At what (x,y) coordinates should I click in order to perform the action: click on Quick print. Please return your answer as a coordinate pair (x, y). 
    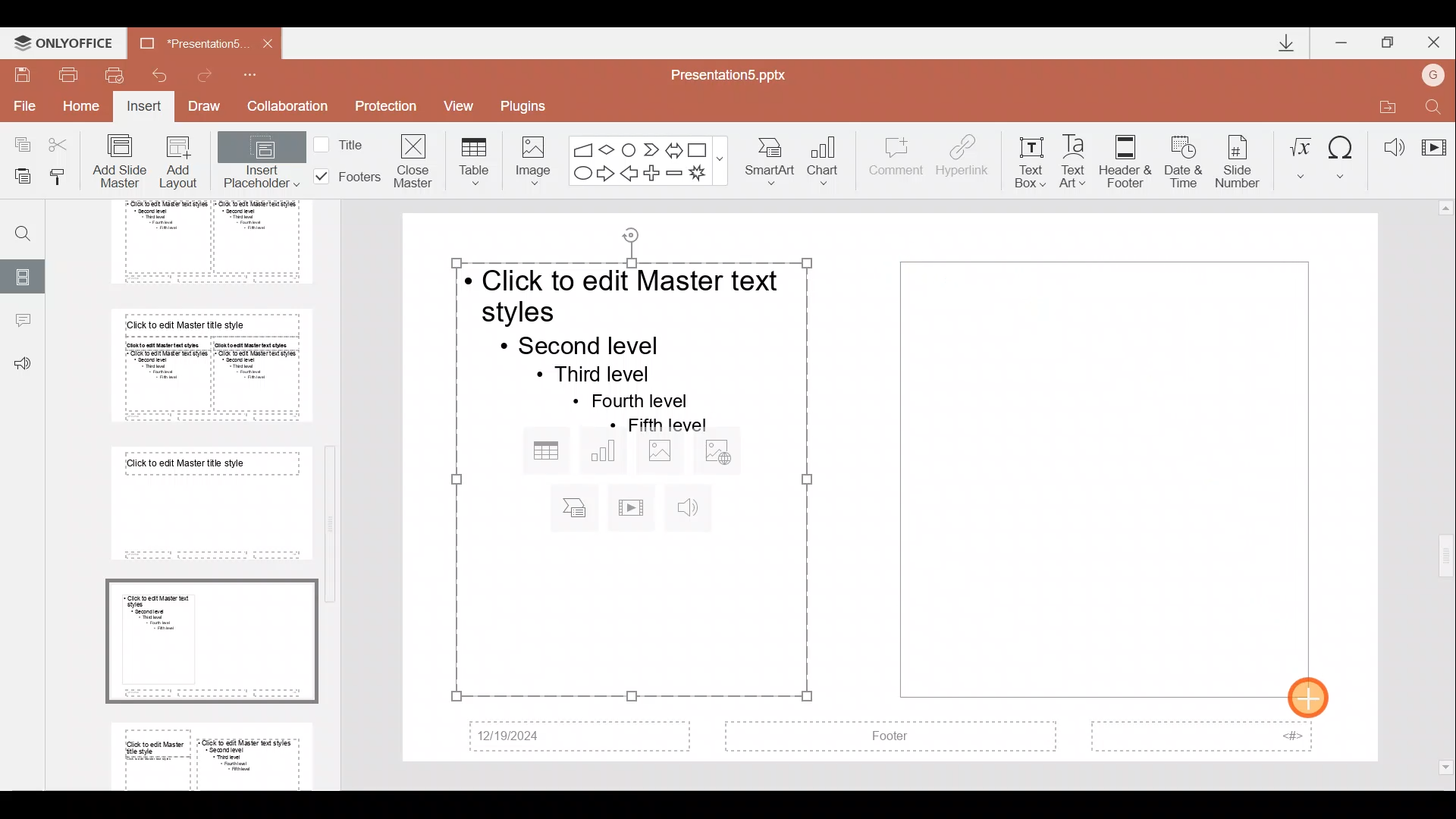
    Looking at the image, I should click on (114, 76).